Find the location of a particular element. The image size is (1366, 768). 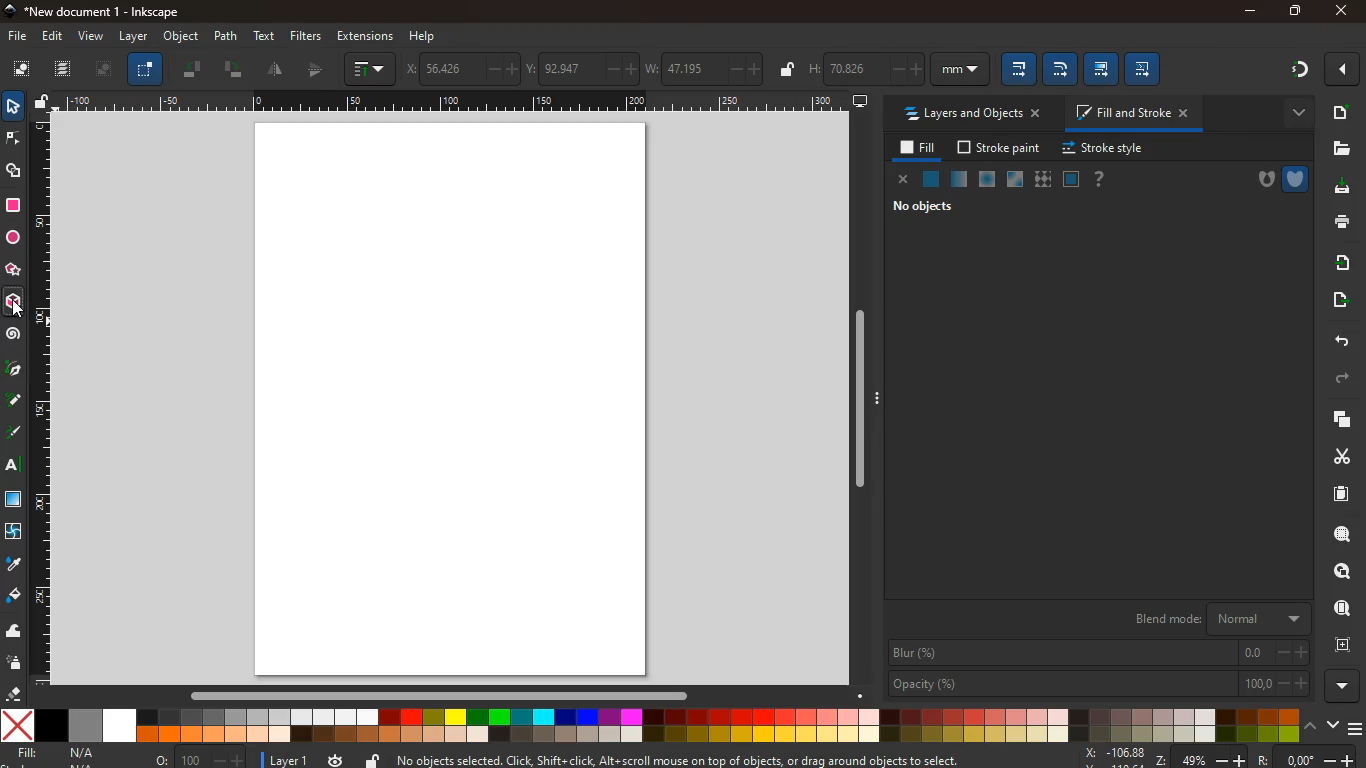

h is located at coordinates (898, 69).